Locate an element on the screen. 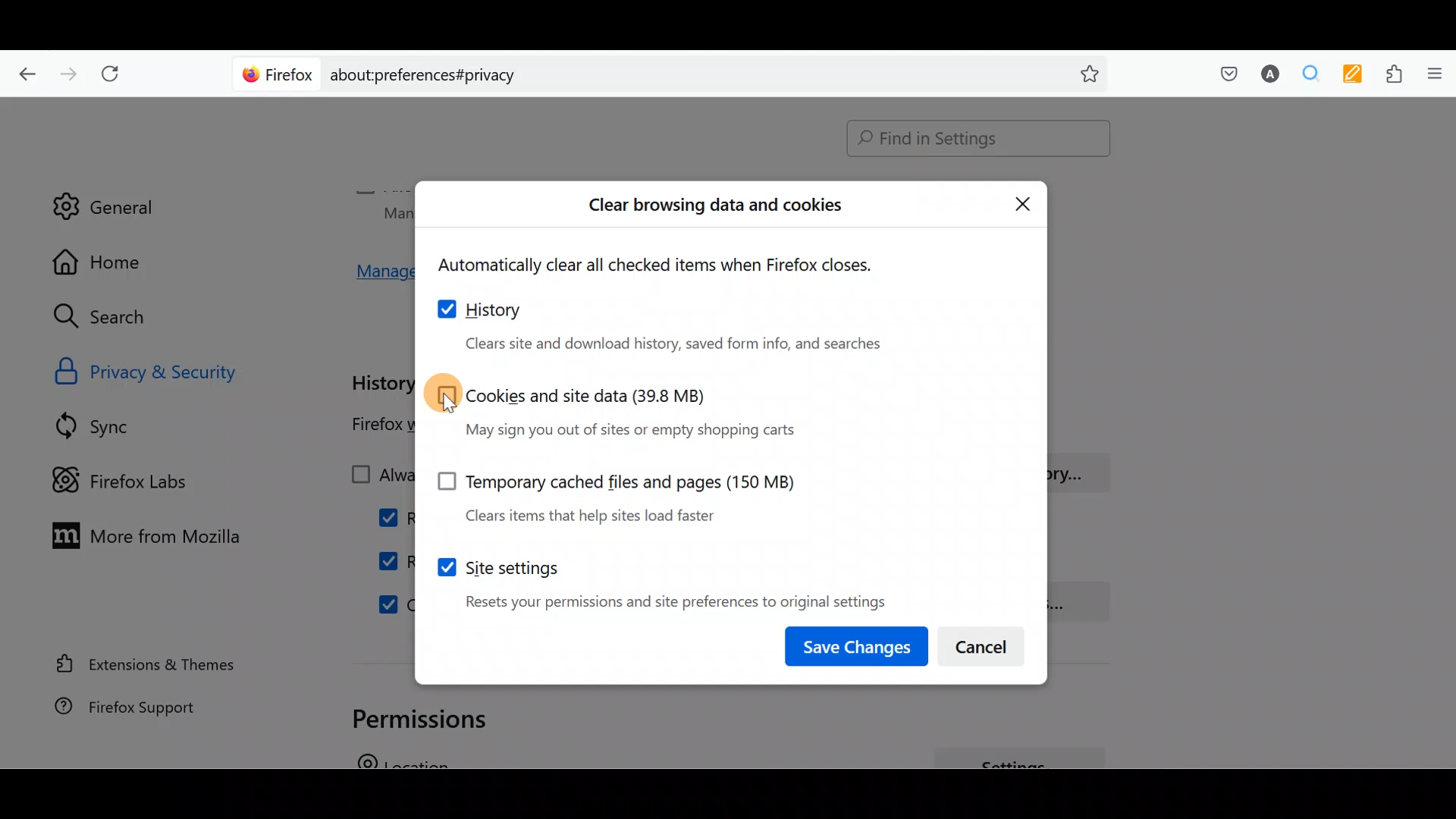  Save to pocket is located at coordinates (1222, 73).